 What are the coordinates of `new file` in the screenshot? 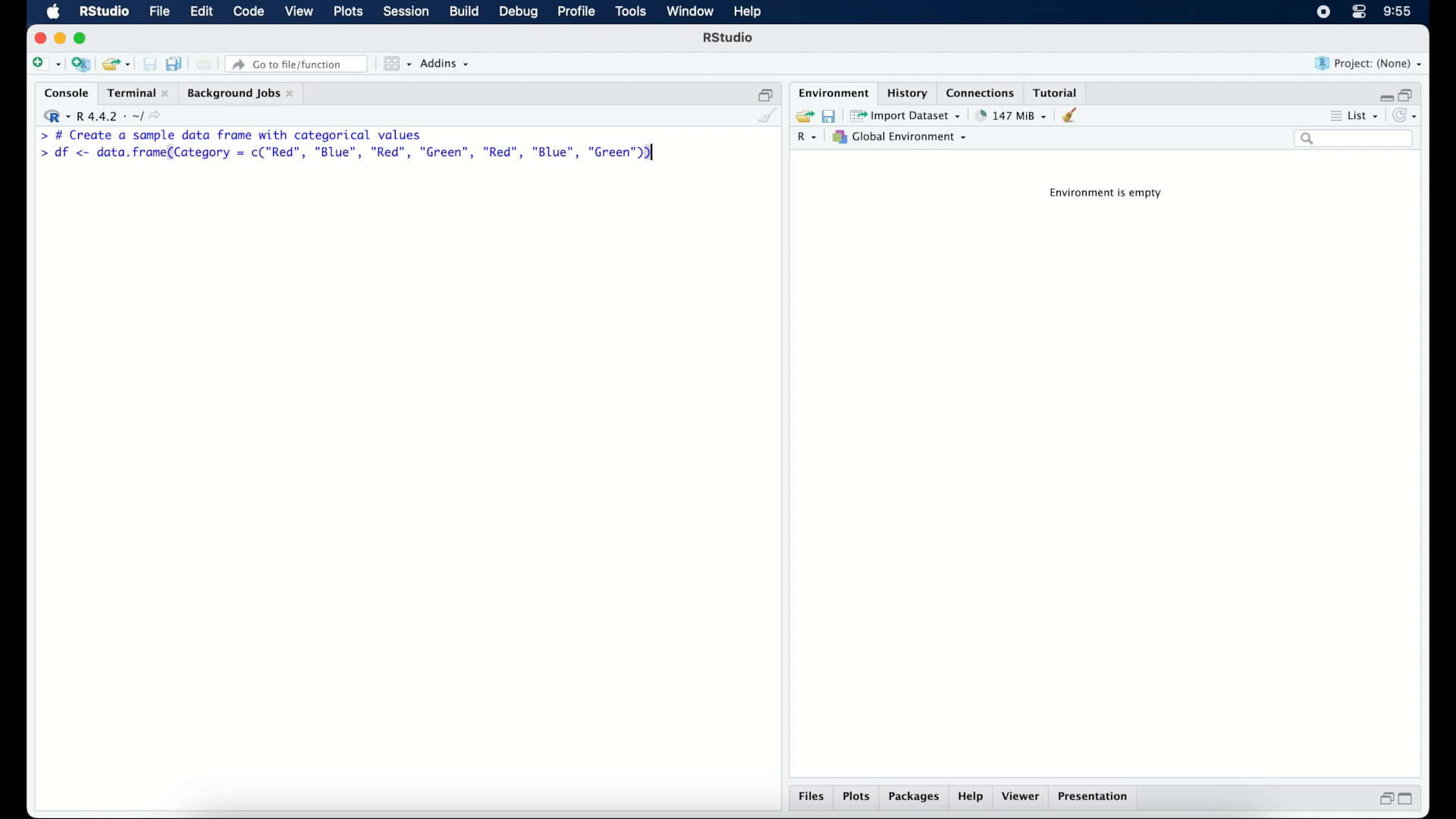 It's located at (45, 63).